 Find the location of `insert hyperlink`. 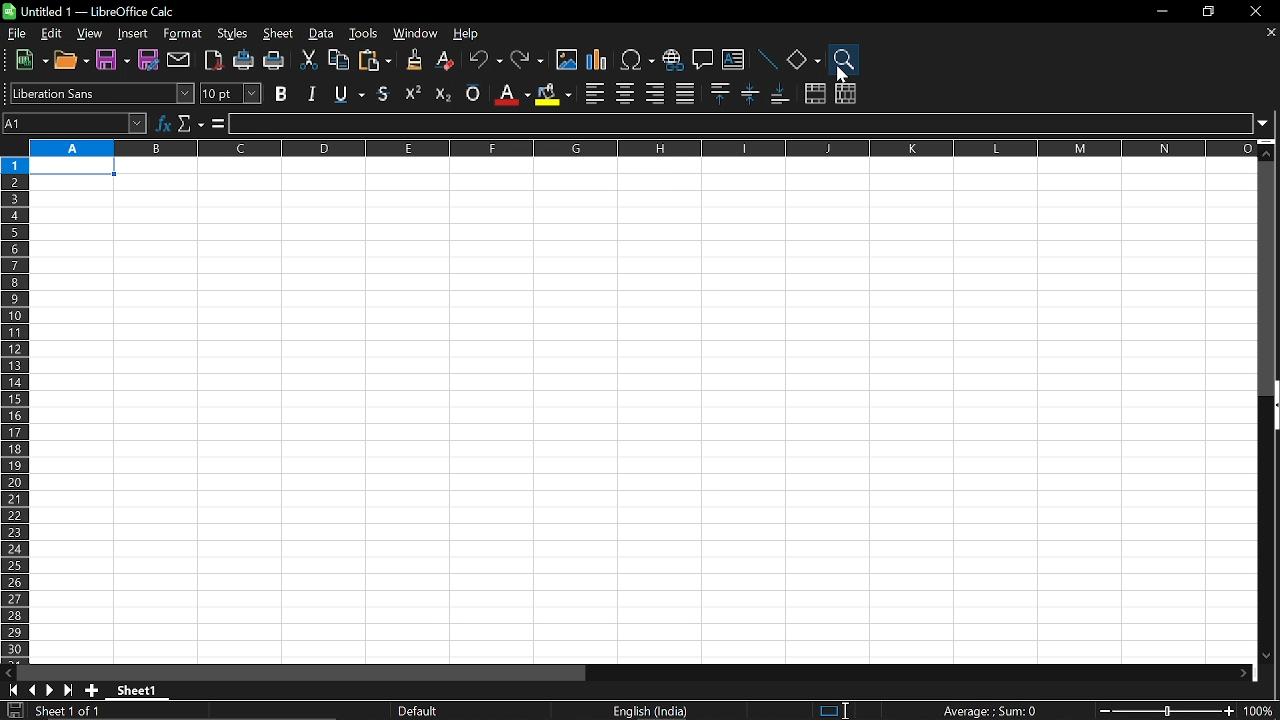

insert hyperlink is located at coordinates (672, 62).